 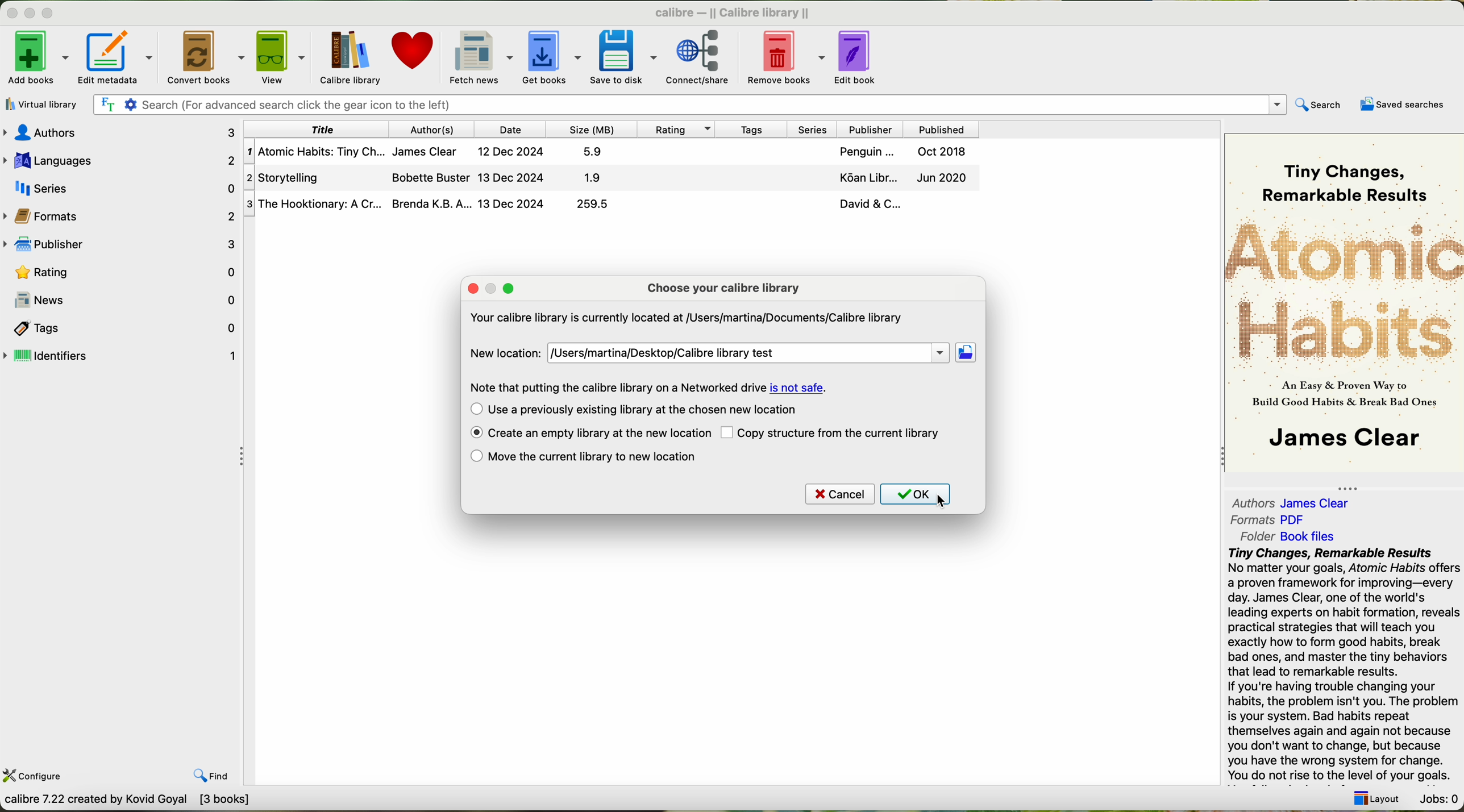 I want to click on cursor, so click(x=942, y=501).